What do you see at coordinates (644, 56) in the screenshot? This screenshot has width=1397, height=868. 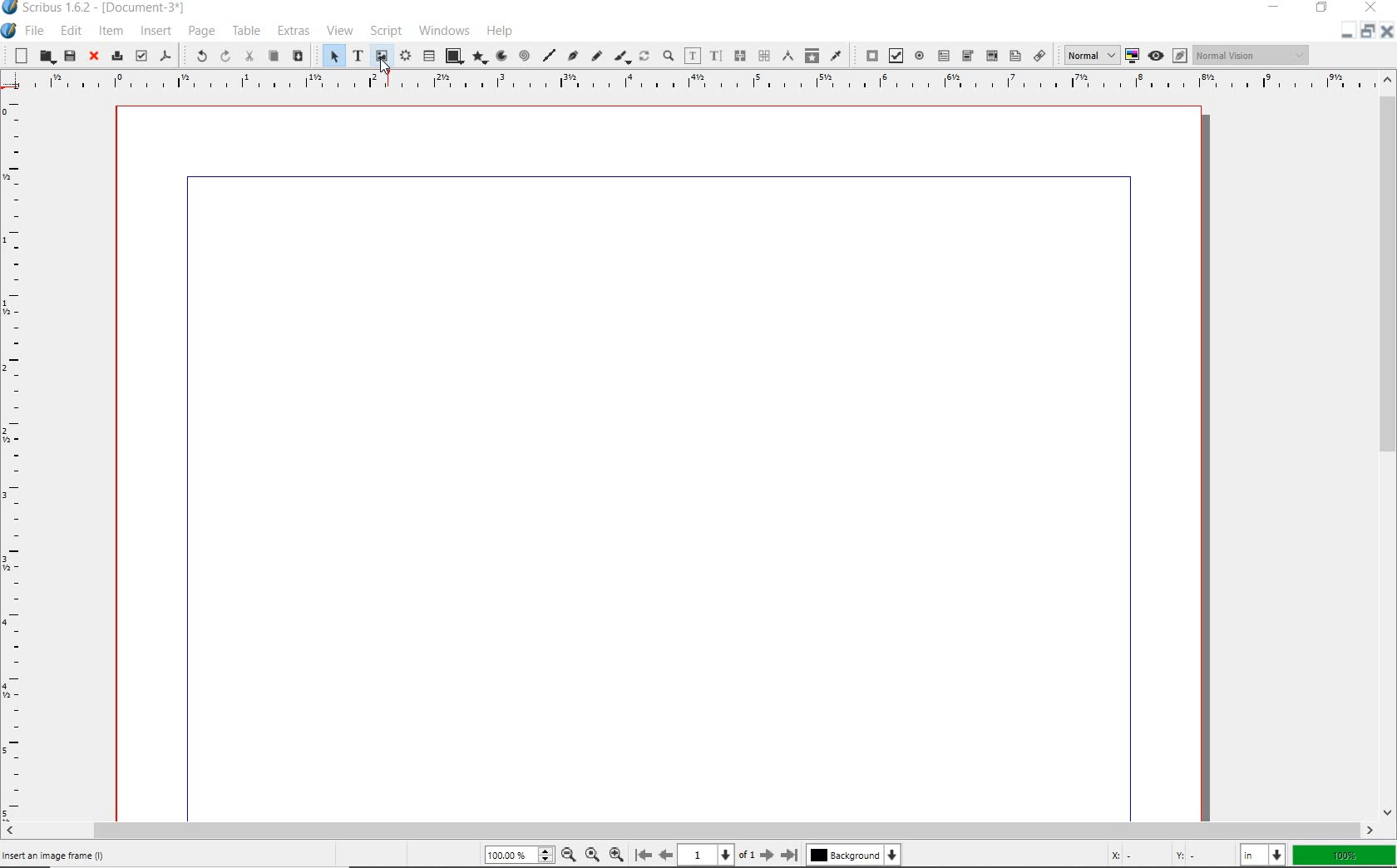 I see `rotate item` at bounding box center [644, 56].